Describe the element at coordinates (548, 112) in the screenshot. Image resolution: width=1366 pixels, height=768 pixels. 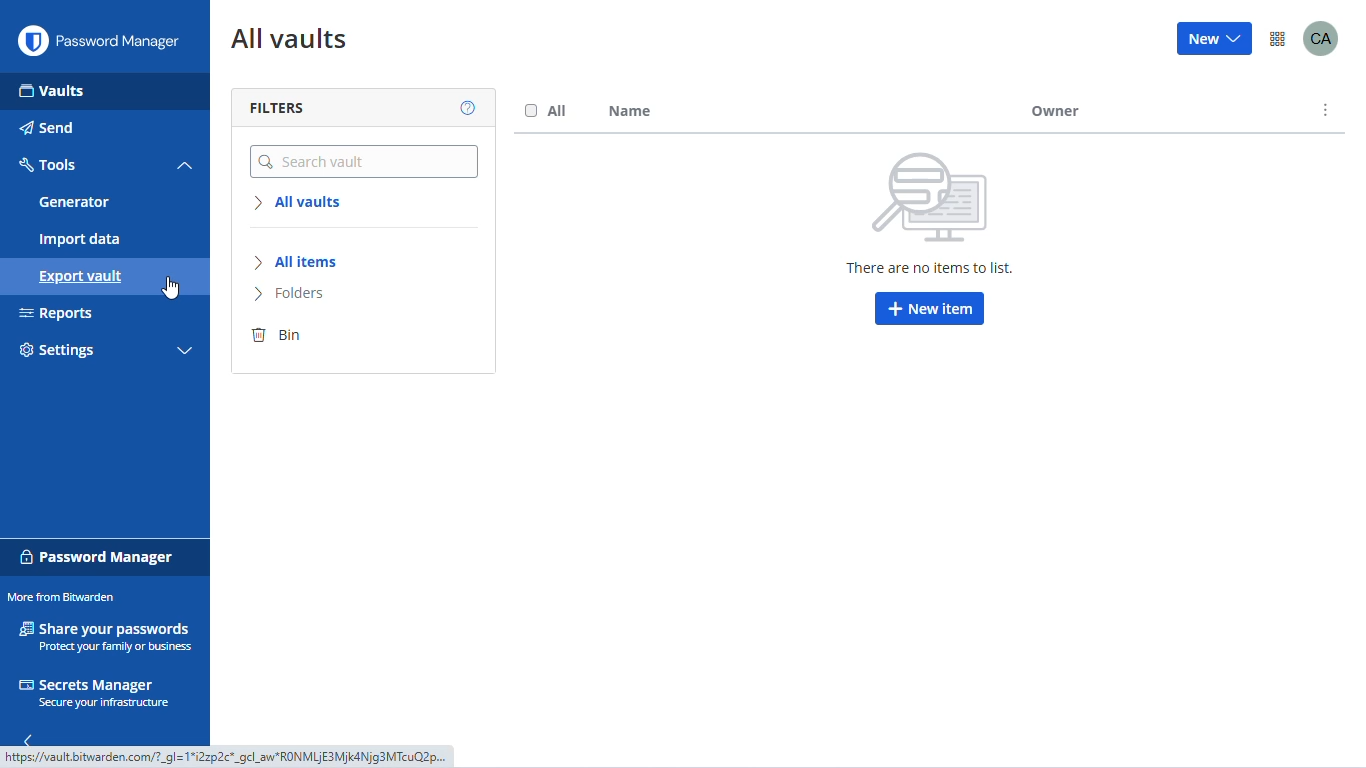
I see `all` at that location.